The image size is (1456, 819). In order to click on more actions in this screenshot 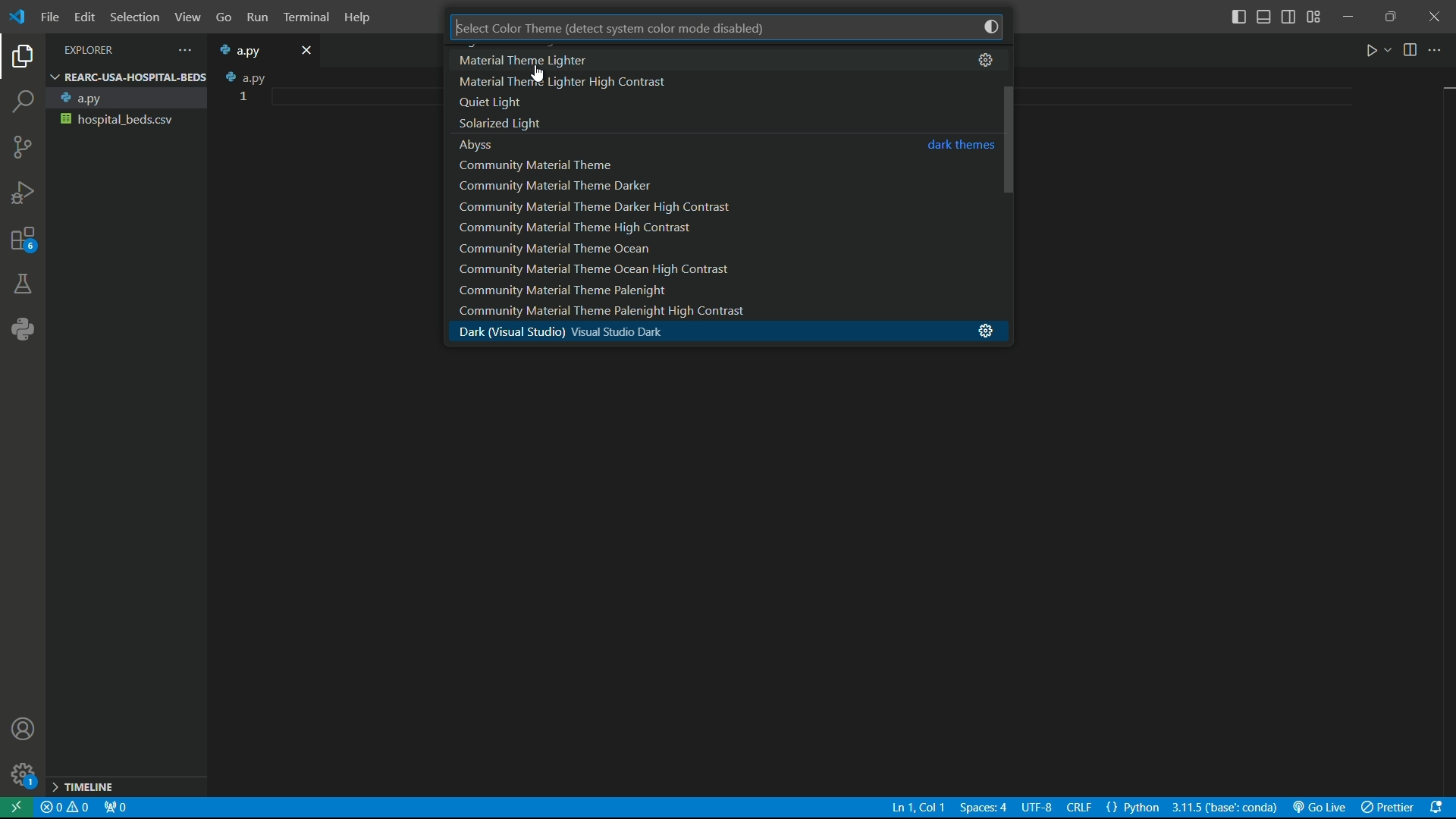, I will do `click(1437, 50)`.